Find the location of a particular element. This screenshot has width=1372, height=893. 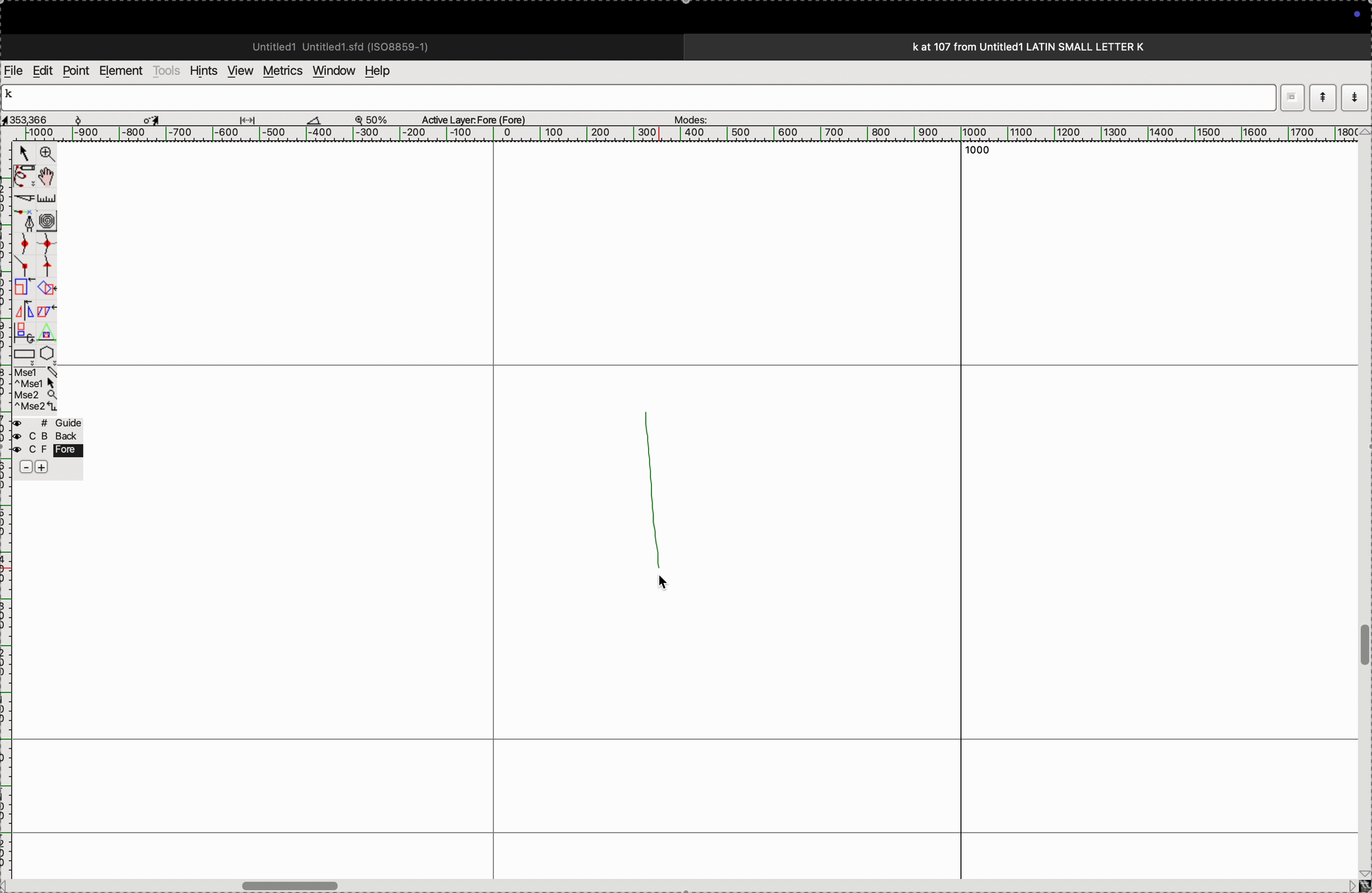

edit is located at coordinates (42, 70).